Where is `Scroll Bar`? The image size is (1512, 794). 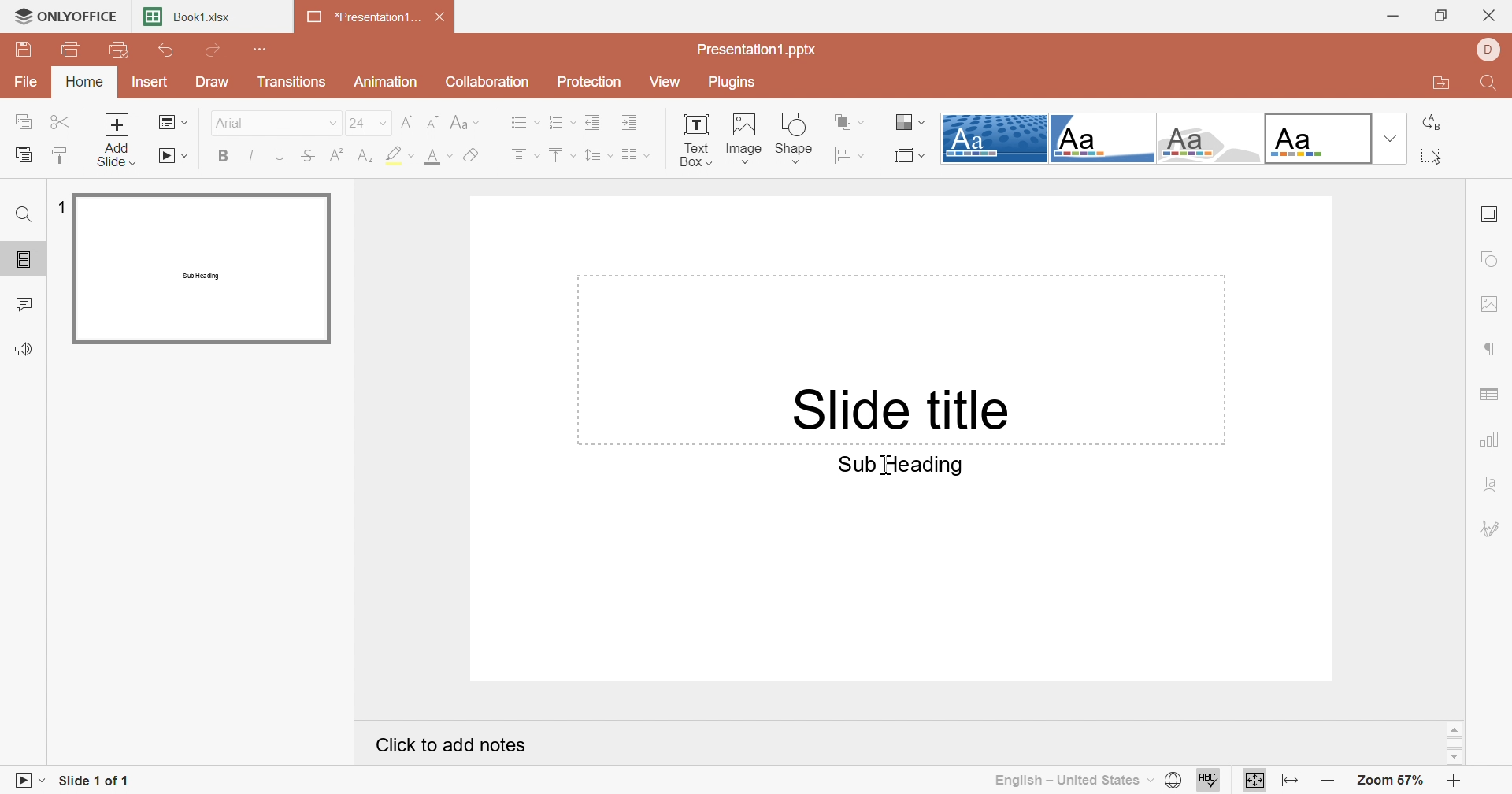
Scroll Bar is located at coordinates (1454, 741).